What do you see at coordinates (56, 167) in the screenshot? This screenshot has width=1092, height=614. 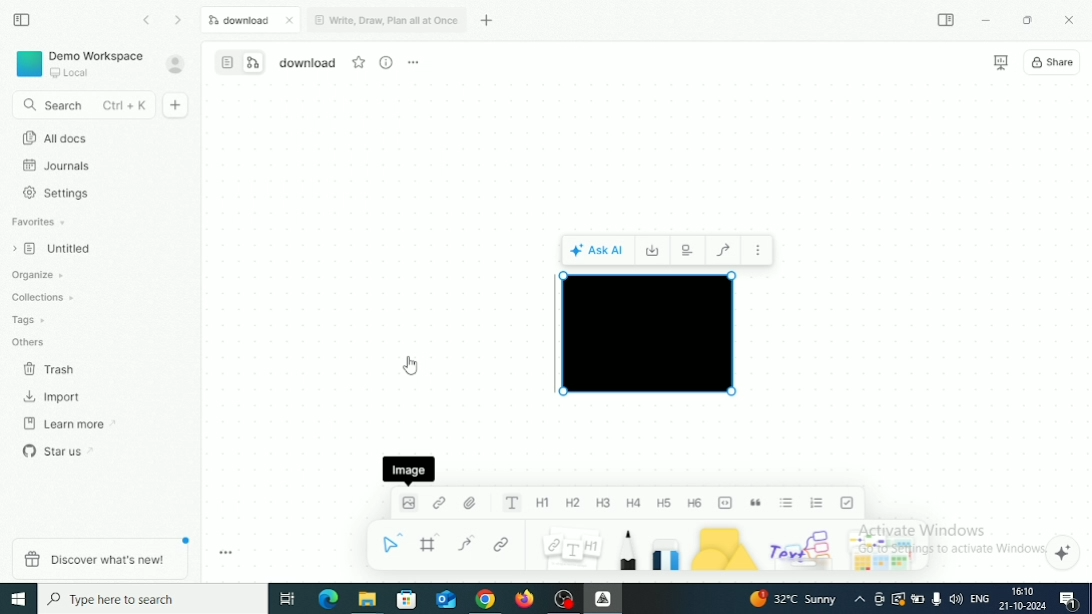 I see `Journals` at bounding box center [56, 167].